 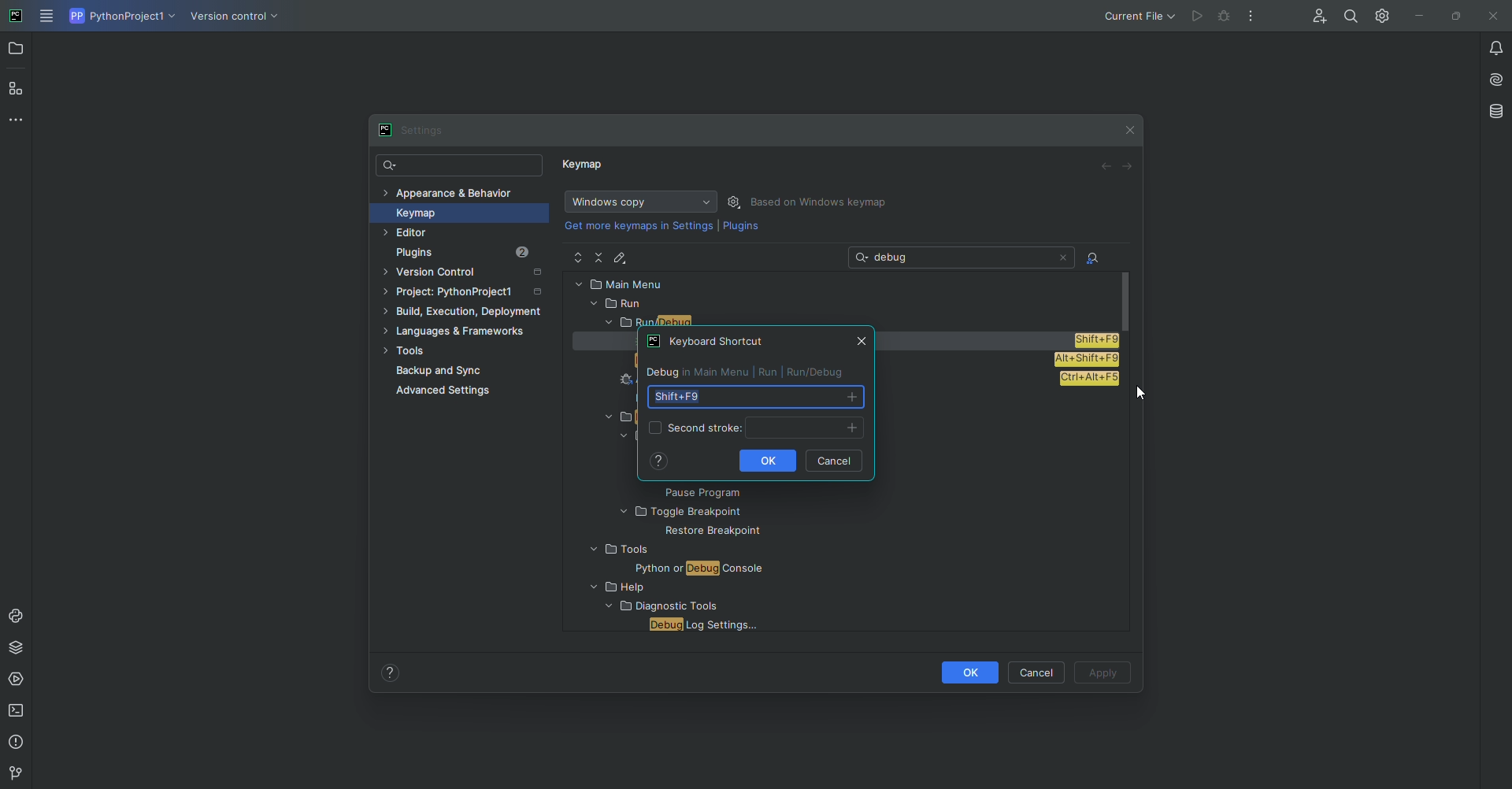 What do you see at coordinates (1254, 20) in the screenshot?
I see `More Options` at bounding box center [1254, 20].